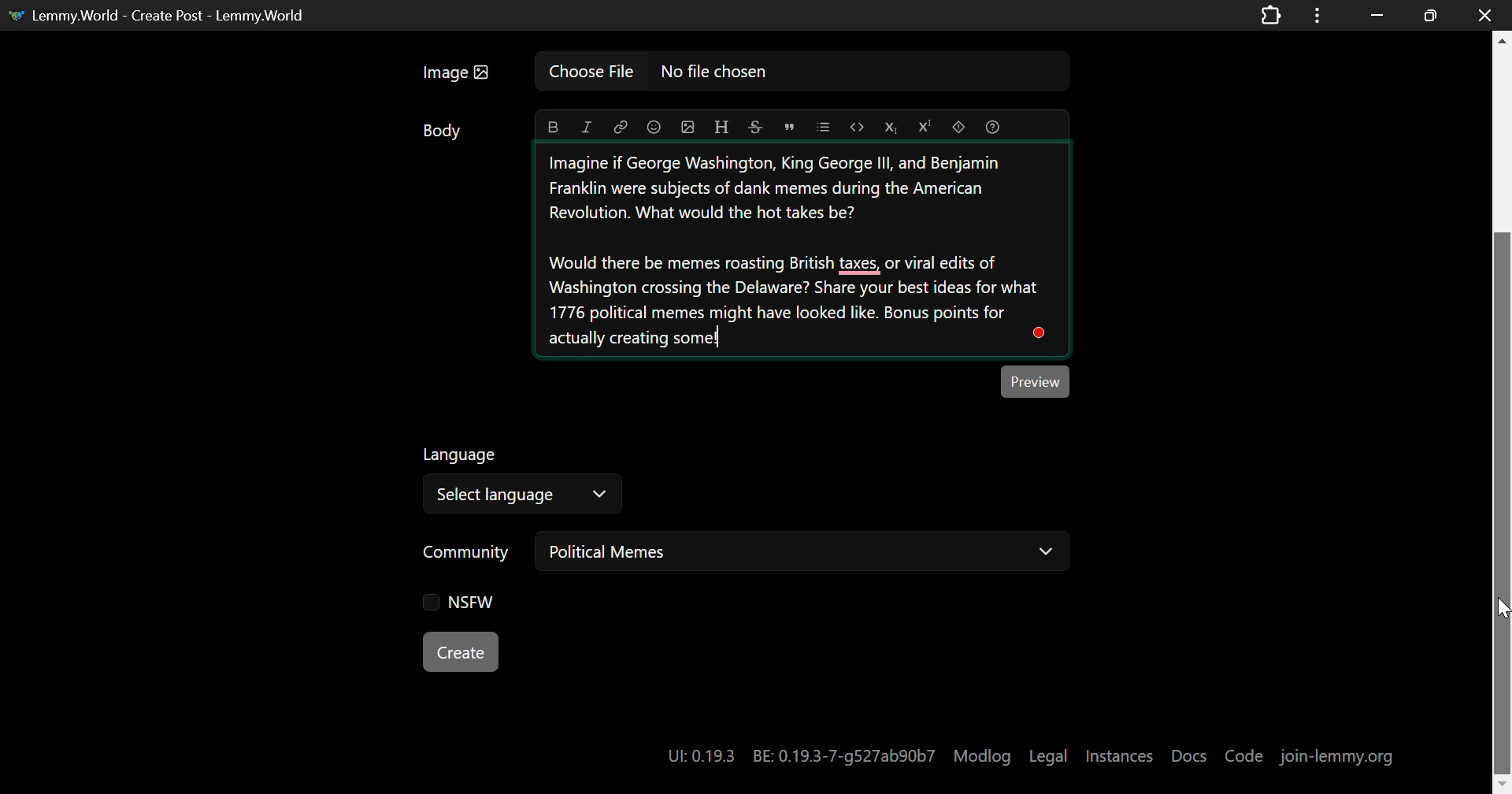  What do you see at coordinates (823, 127) in the screenshot?
I see `List` at bounding box center [823, 127].